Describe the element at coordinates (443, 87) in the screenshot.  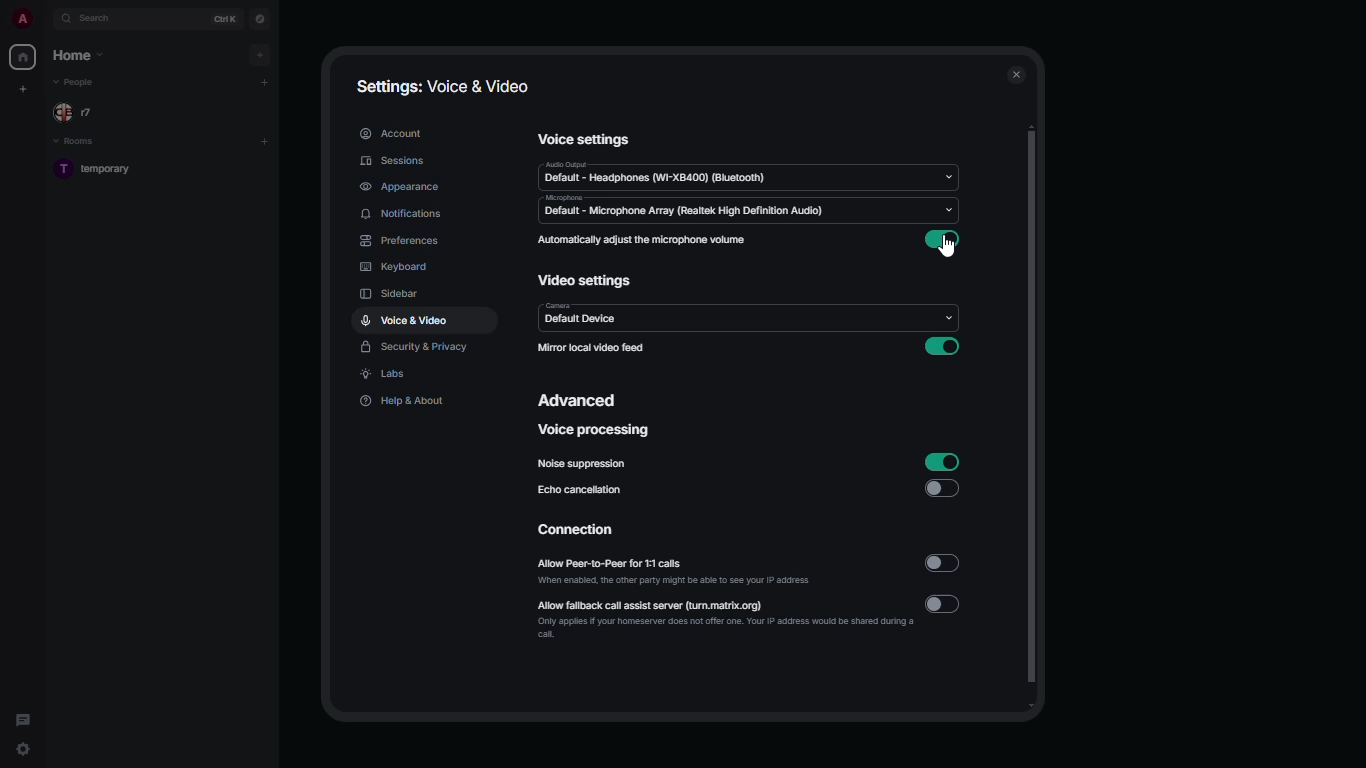
I see `settings: voice & video` at that location.